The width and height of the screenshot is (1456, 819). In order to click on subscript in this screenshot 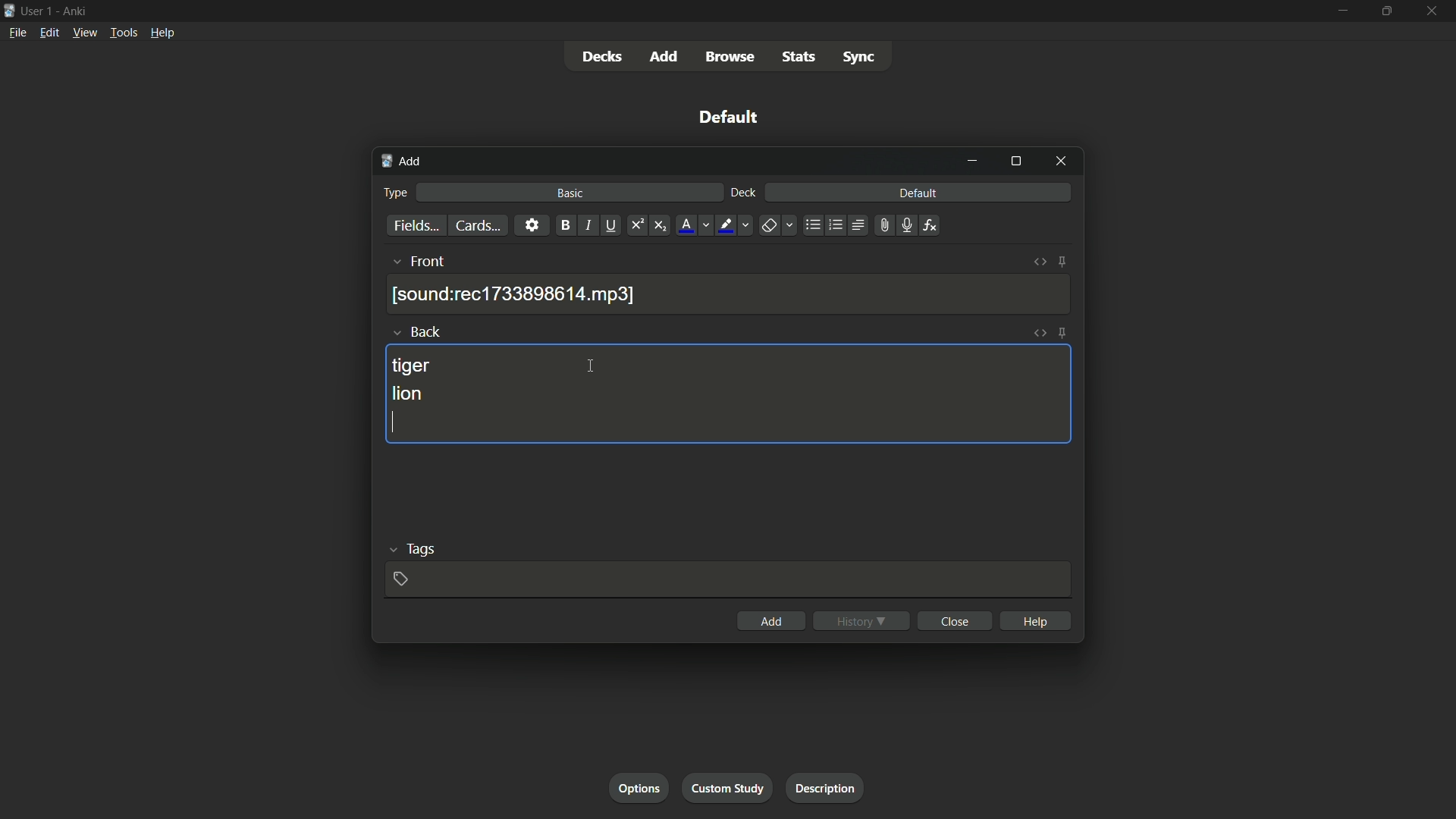, I will do `click(662, 225)`.